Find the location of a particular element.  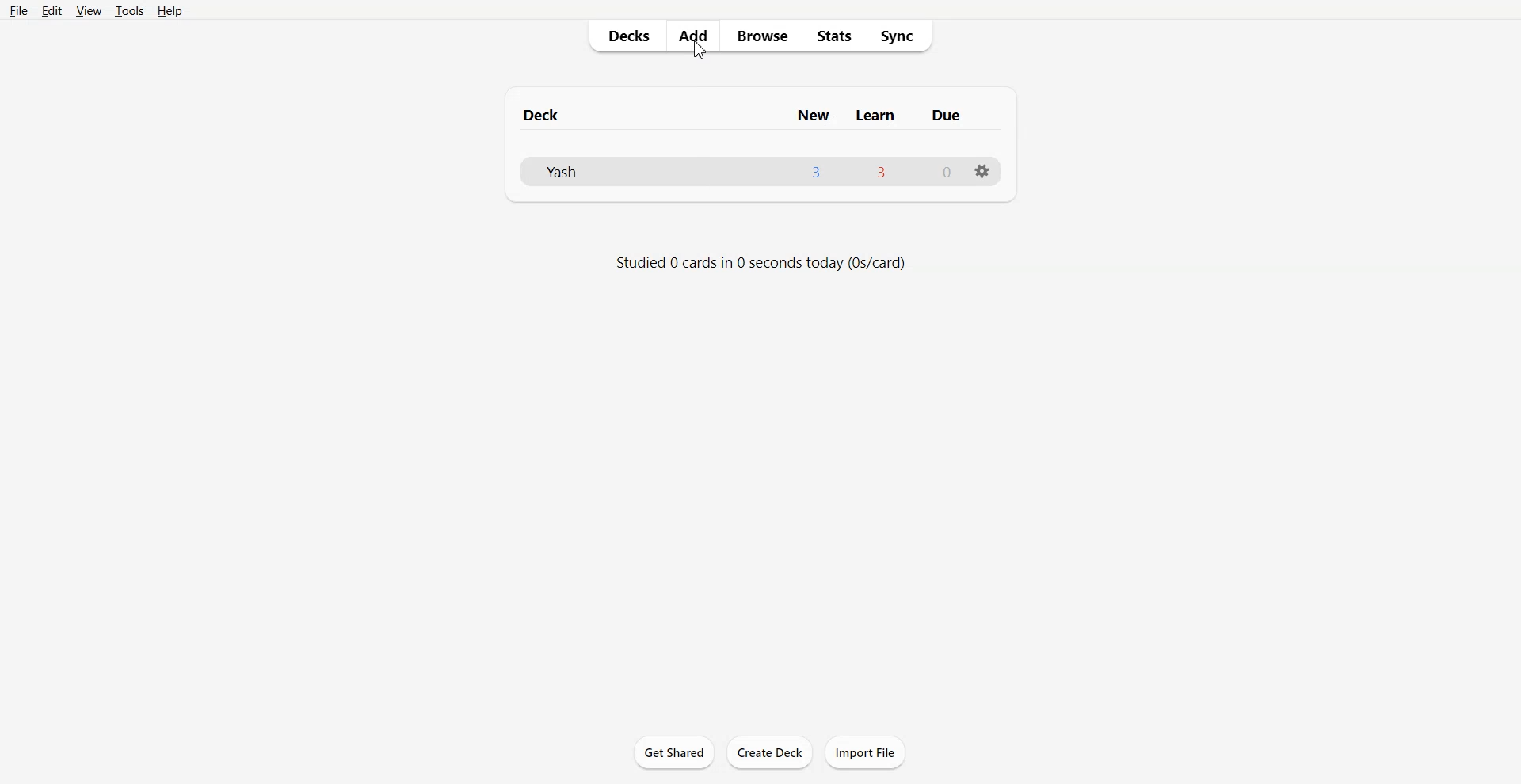

Help is located at coordinates (170, 11).